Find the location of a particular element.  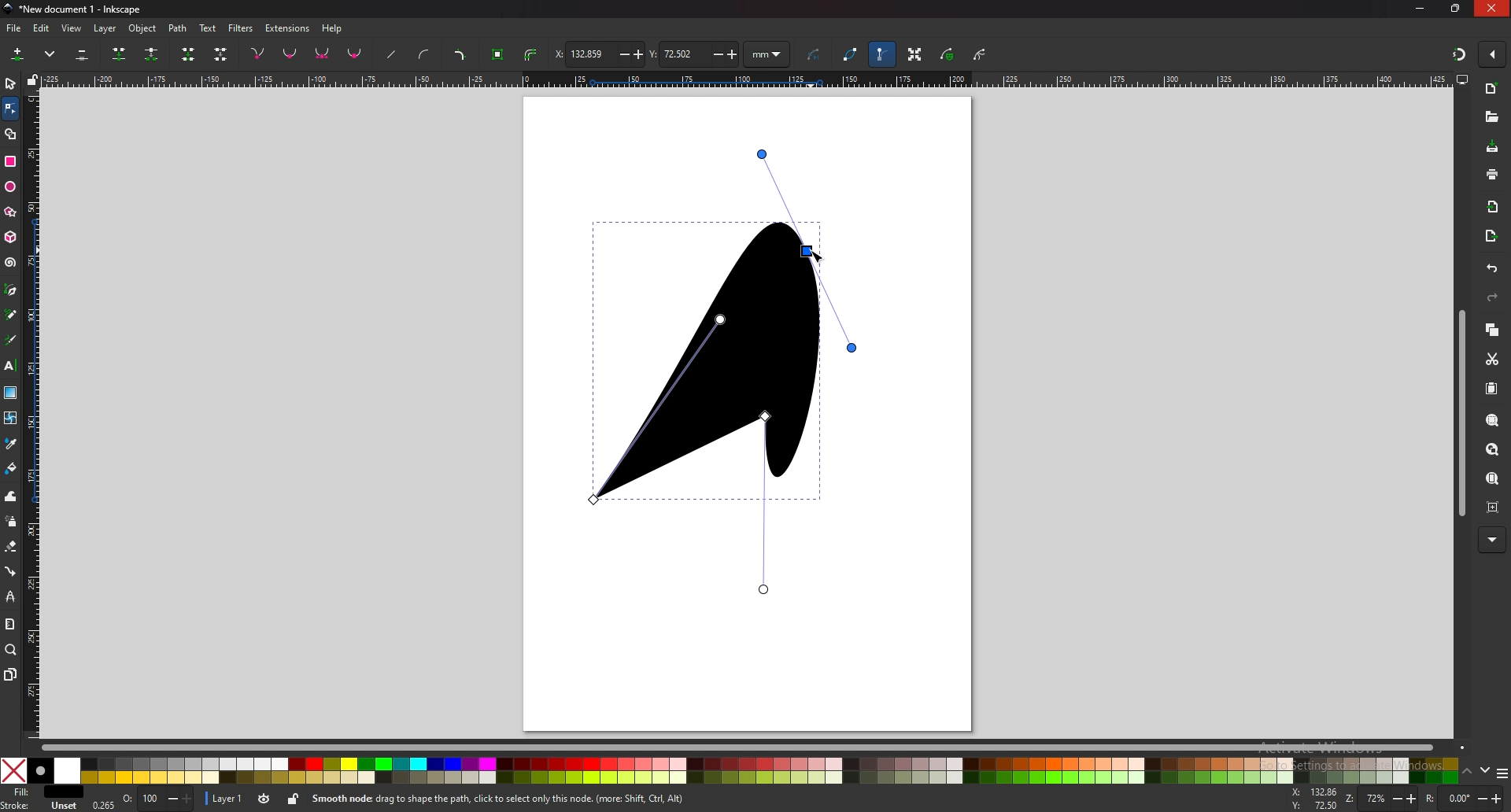

zoom is located at coordinates (1381, 798).